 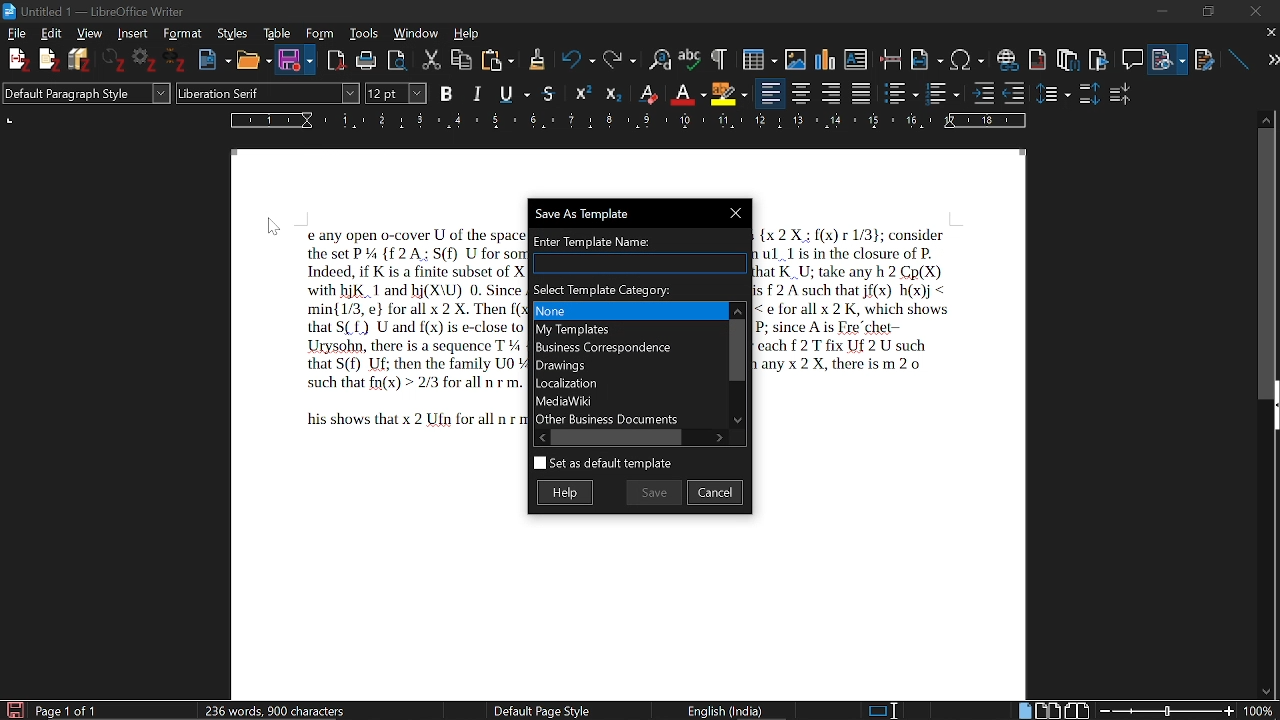 I want to click on justified, so click(x=863, y=93).